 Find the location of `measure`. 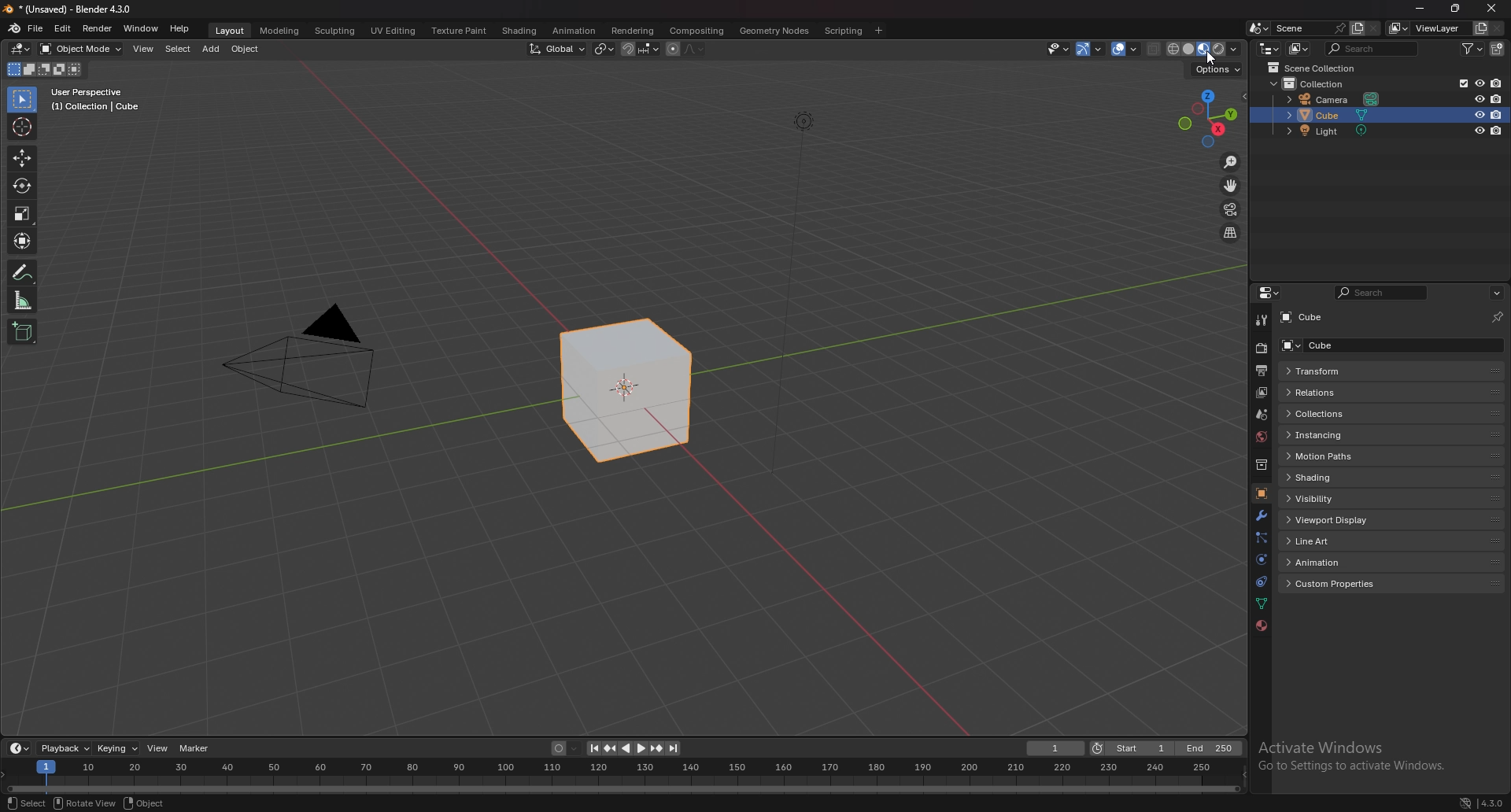

measure is located at coordinates (22, 300).